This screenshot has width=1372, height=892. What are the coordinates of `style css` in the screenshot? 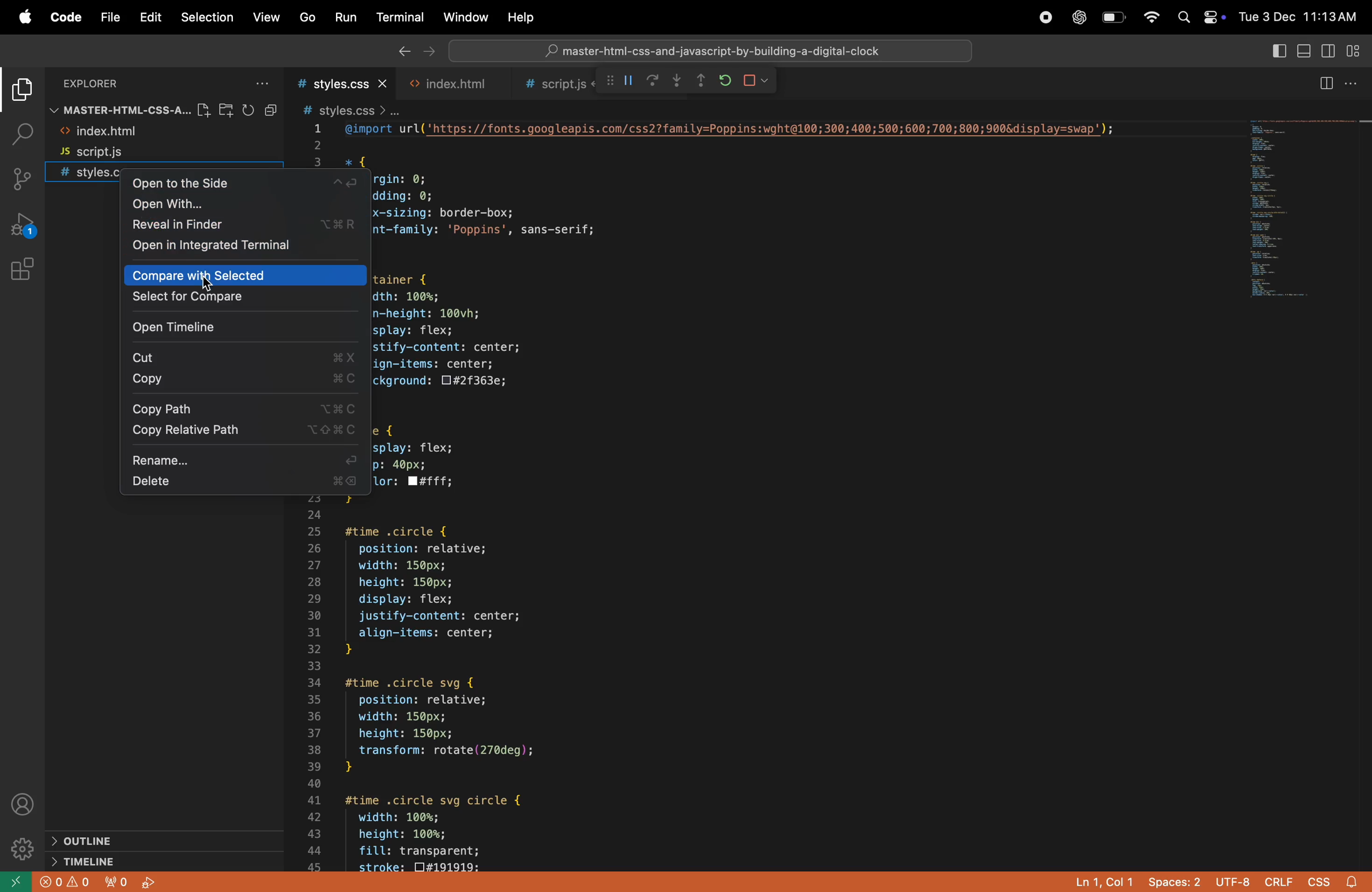 It's located at (350, 109).